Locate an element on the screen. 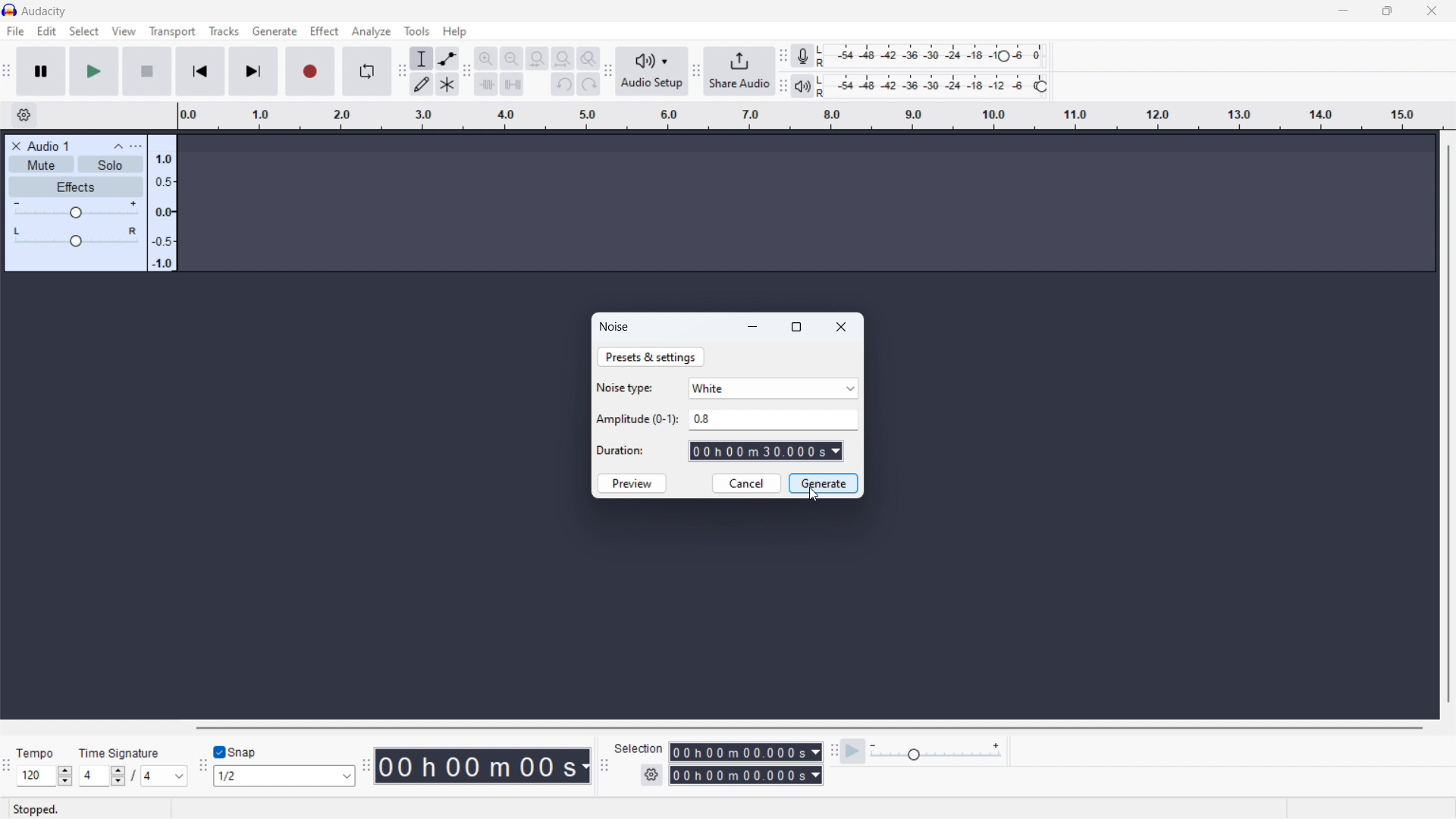  help is located at coordinates (454, 30).